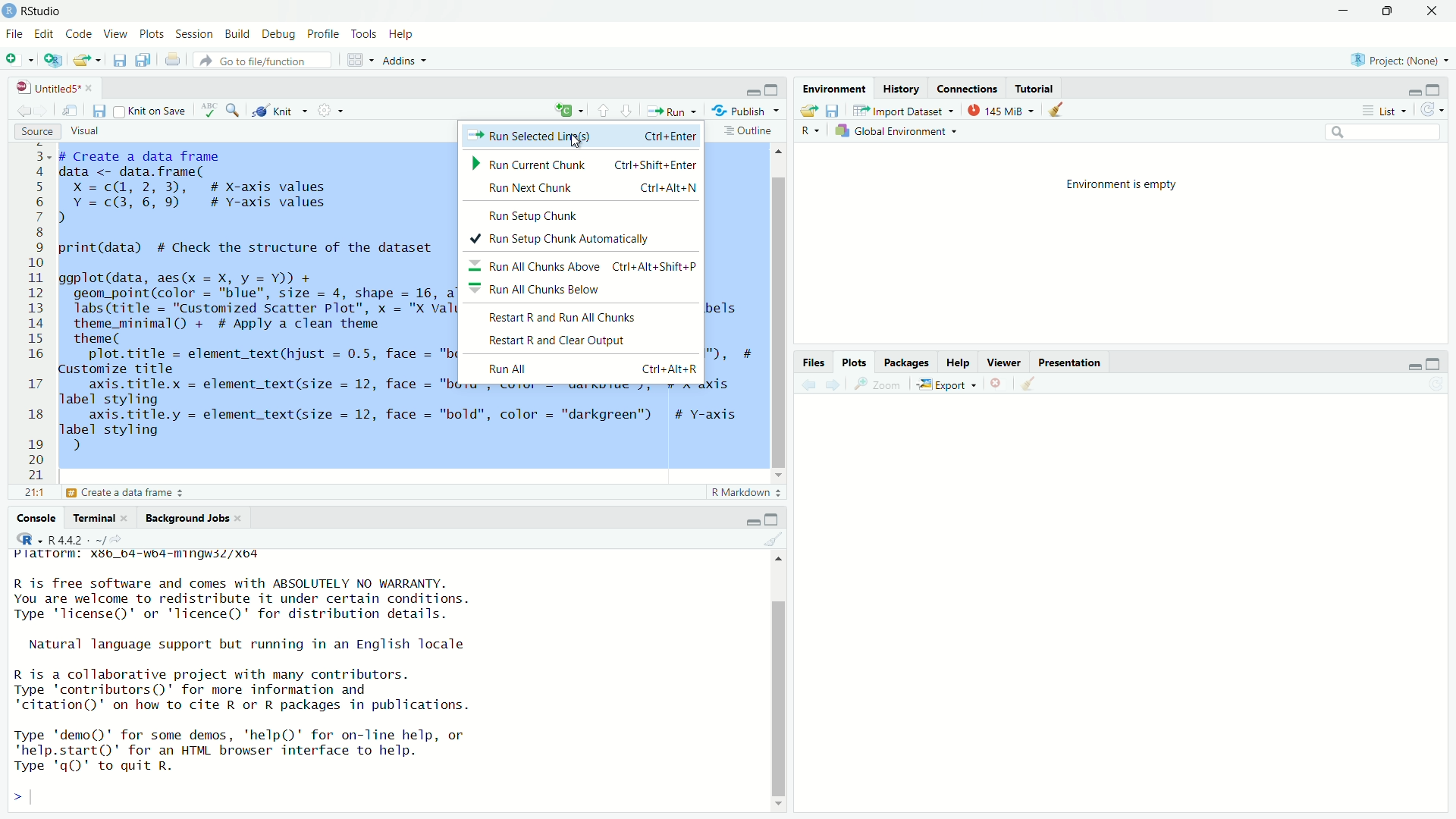  I want to click on Save file, so click(833, 111).